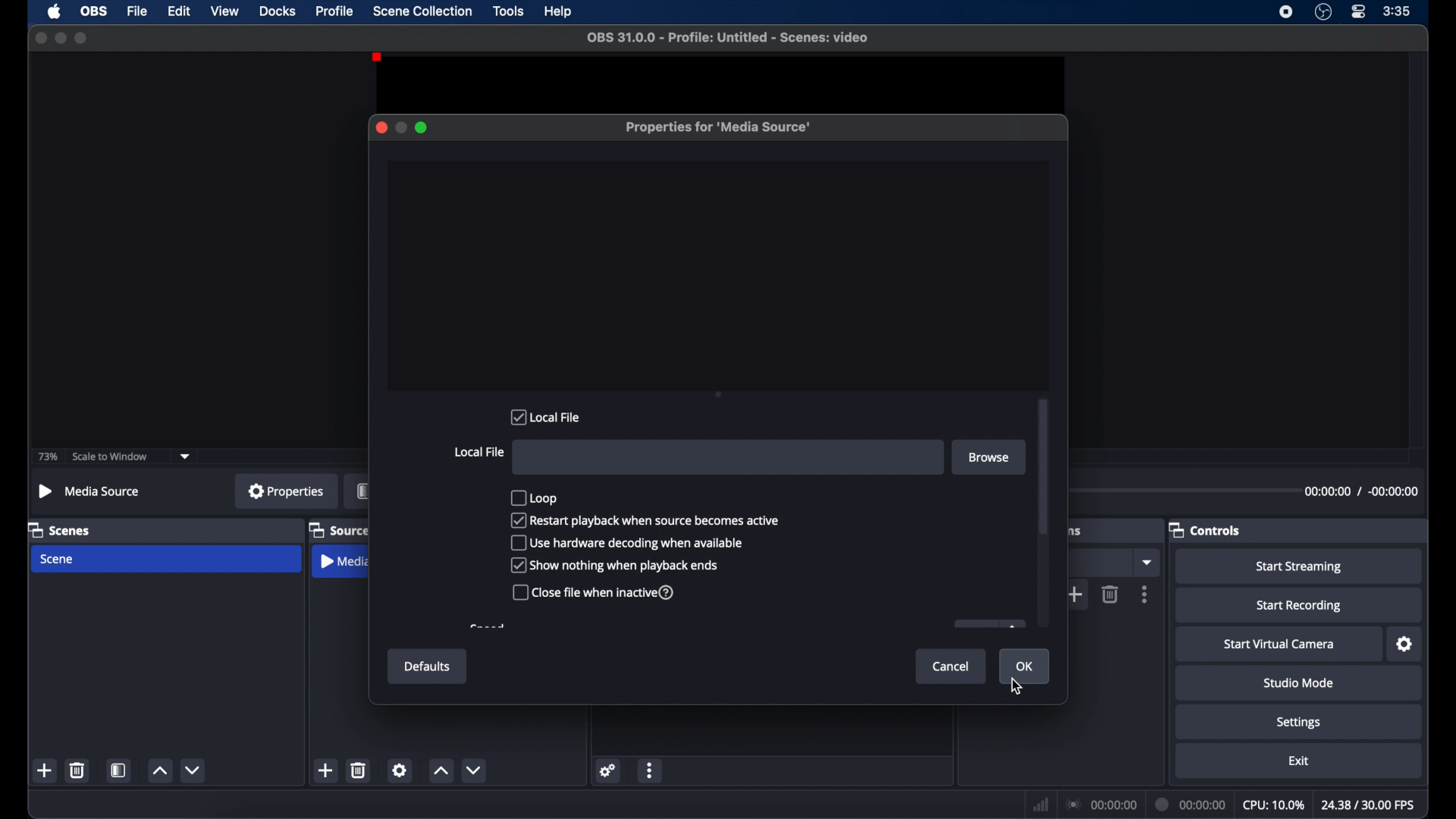  What do you see at coordinates (1301, 566) in the screenshot?
I see `start streaming` at bounding box center [1301, 566].